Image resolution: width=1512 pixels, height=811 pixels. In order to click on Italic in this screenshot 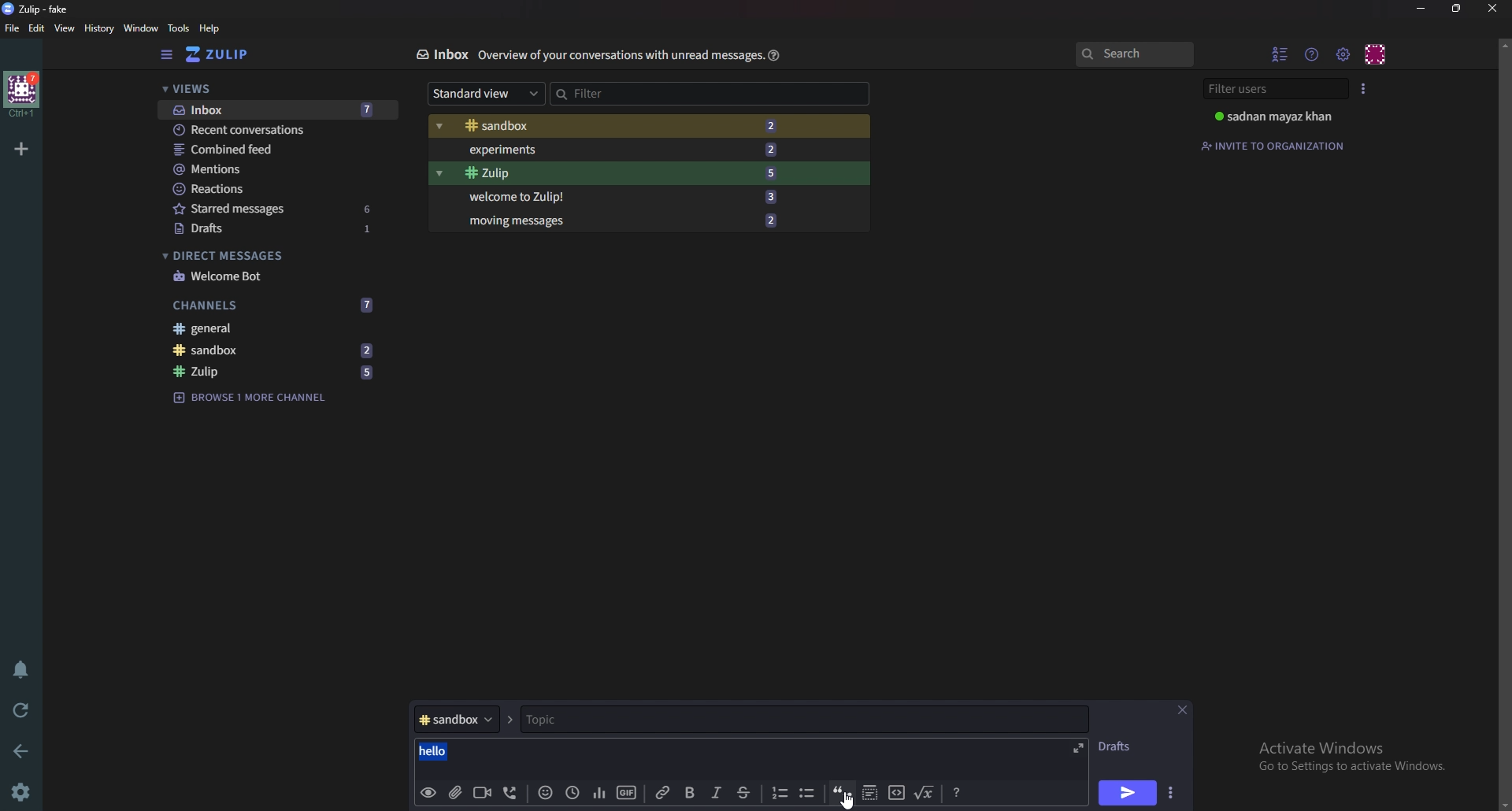, I will do `click(719, 794)`.